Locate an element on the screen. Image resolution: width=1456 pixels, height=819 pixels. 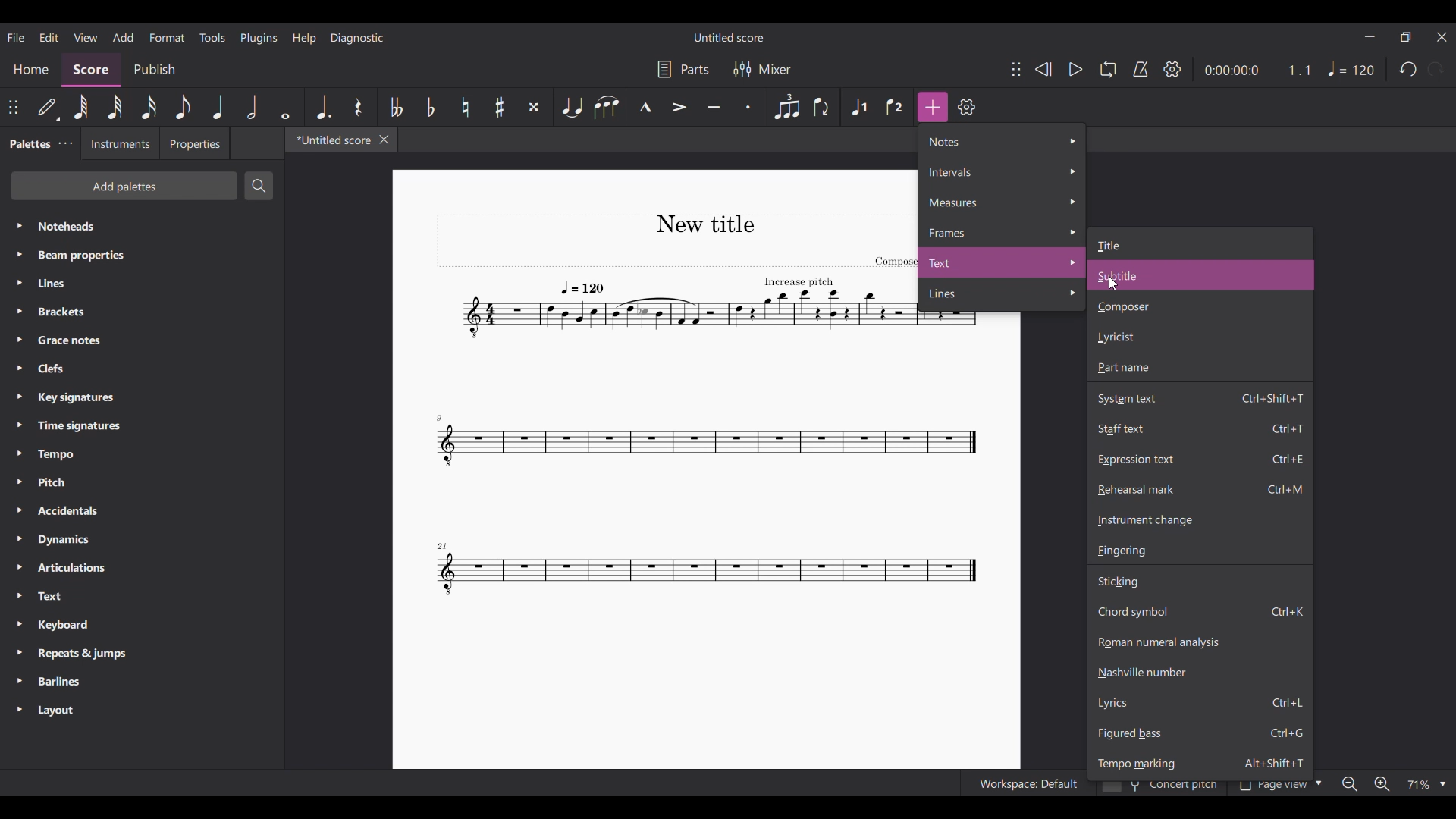
Properties is located at coordinates (194, 143).